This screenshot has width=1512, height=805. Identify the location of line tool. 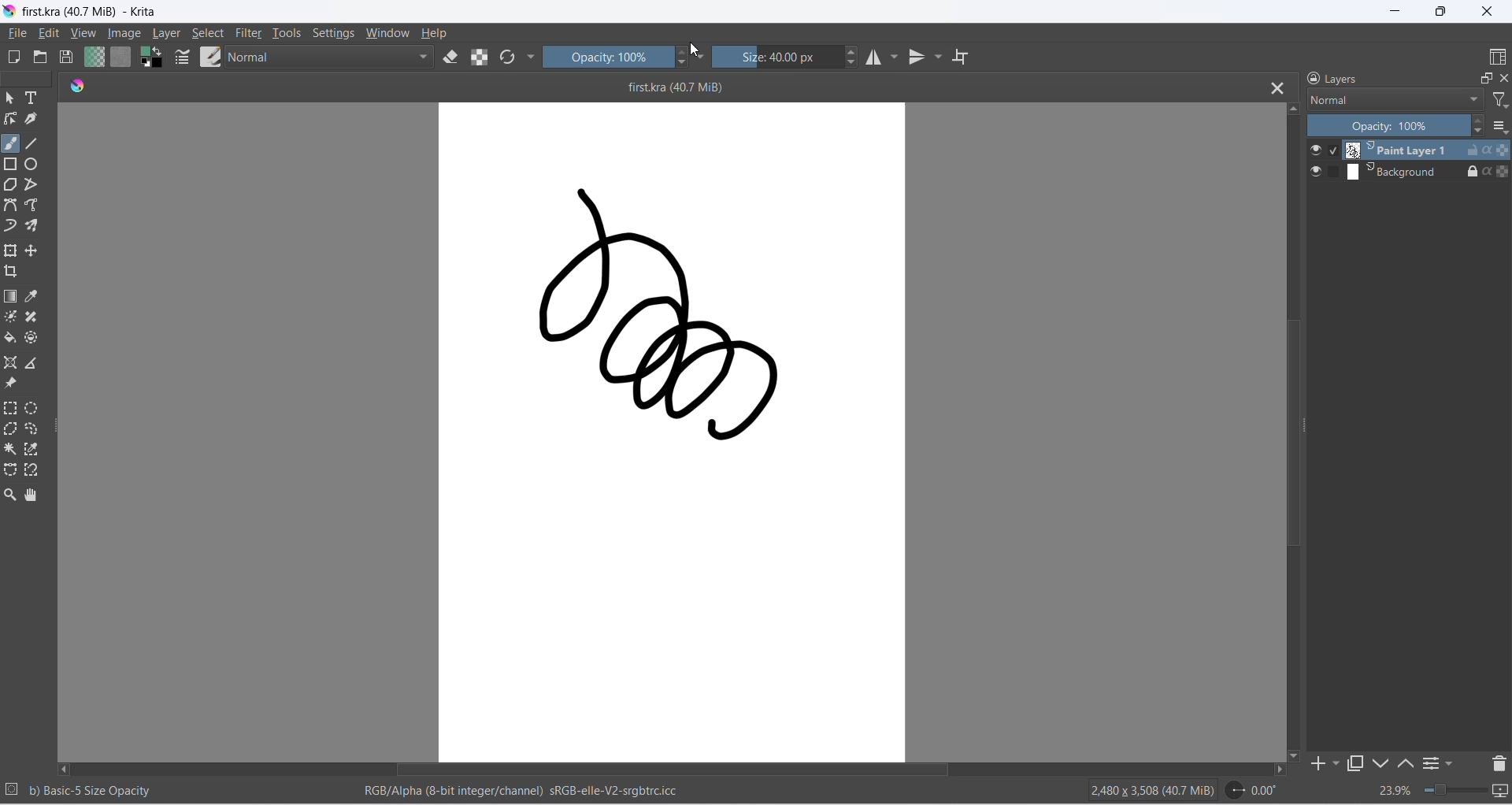
(32, 143).